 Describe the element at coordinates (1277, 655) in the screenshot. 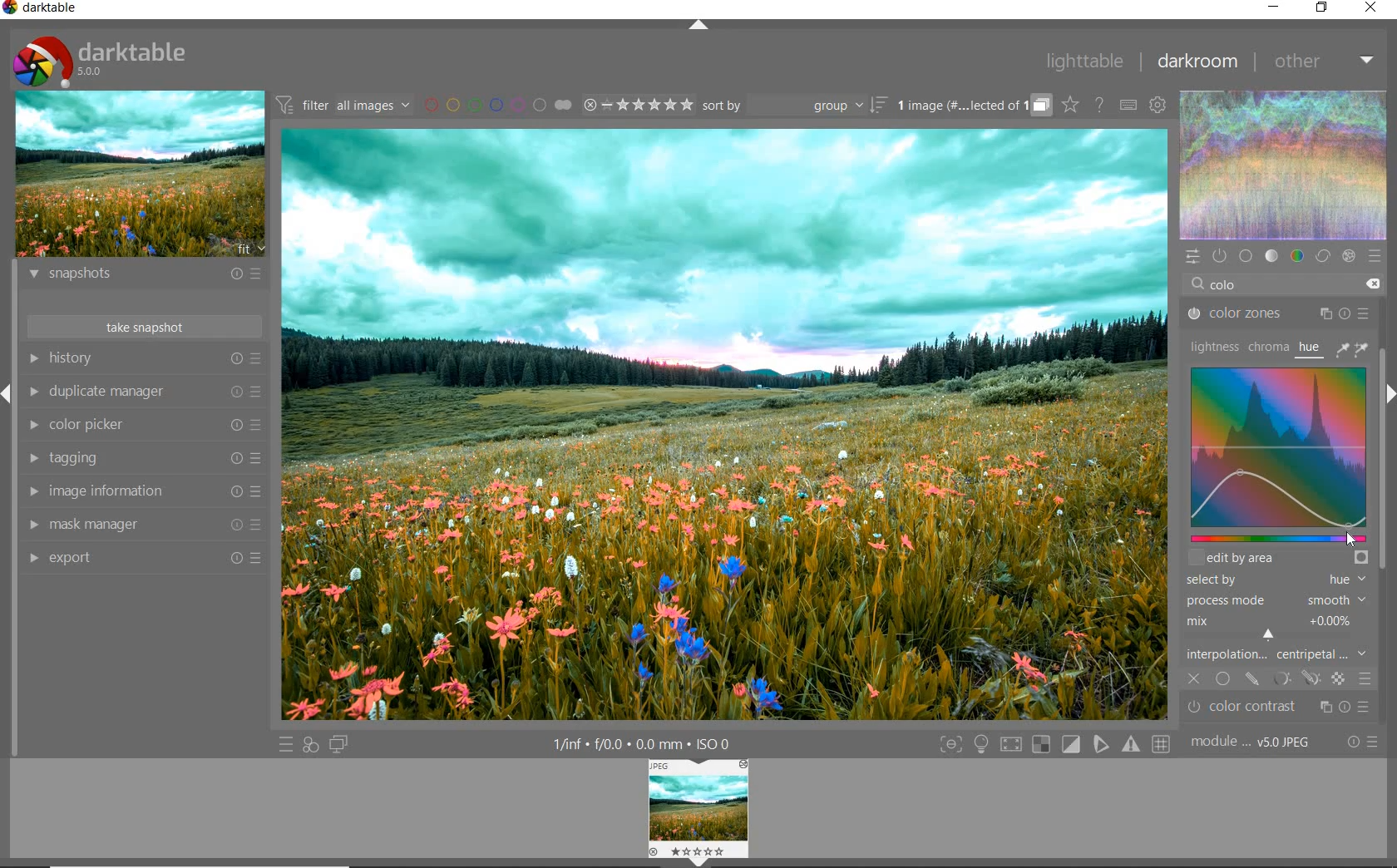

I see `interpolation` at that location.